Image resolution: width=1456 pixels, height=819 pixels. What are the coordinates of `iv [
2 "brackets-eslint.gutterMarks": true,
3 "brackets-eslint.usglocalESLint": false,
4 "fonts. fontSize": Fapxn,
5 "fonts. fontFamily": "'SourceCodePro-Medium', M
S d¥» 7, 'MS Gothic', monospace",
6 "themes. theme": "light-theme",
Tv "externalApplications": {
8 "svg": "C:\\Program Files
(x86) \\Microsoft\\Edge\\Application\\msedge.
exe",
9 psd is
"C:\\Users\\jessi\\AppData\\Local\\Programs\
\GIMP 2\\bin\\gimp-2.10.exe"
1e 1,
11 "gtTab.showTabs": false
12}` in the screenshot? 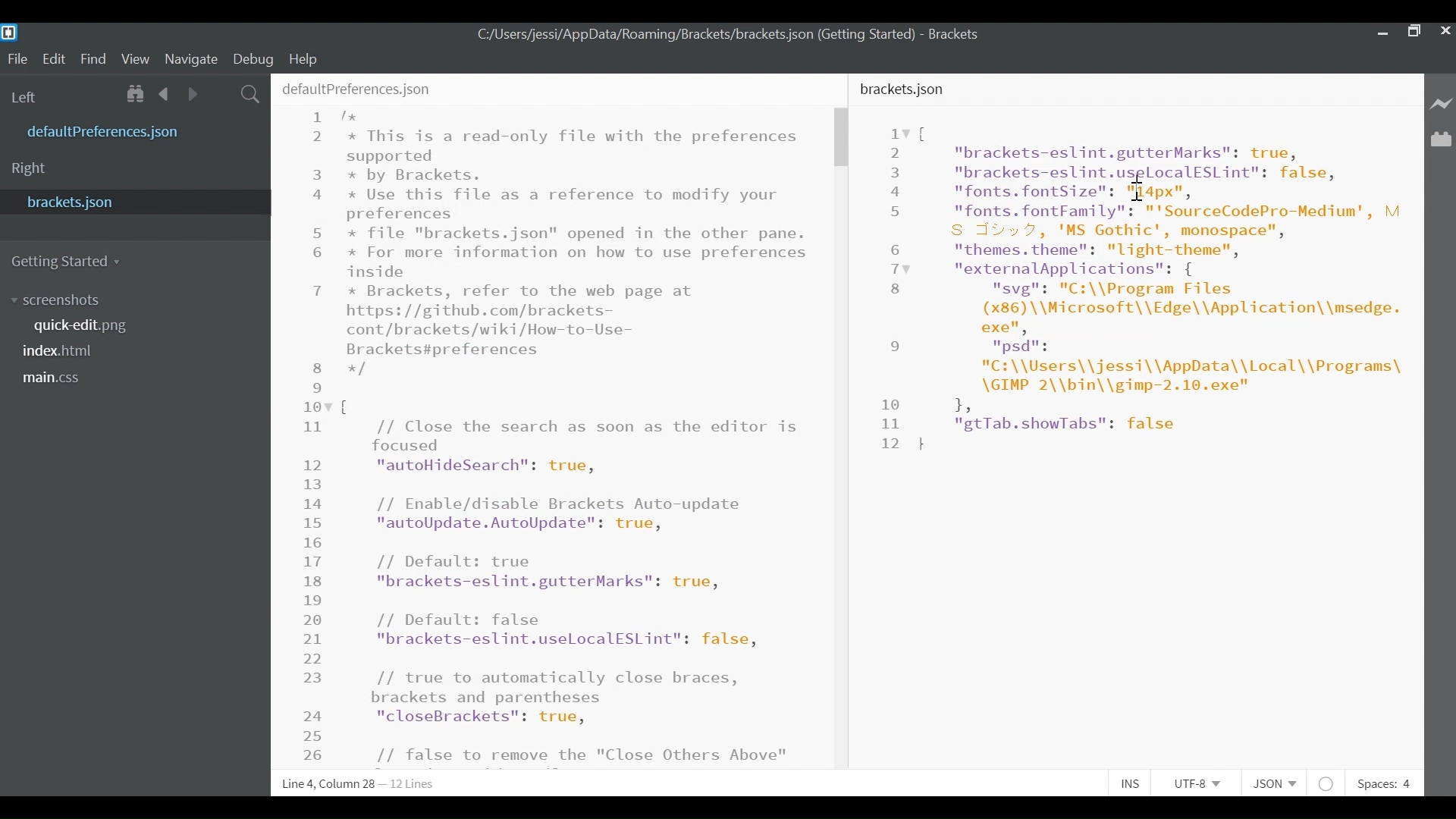 It's located at (1139, 311).